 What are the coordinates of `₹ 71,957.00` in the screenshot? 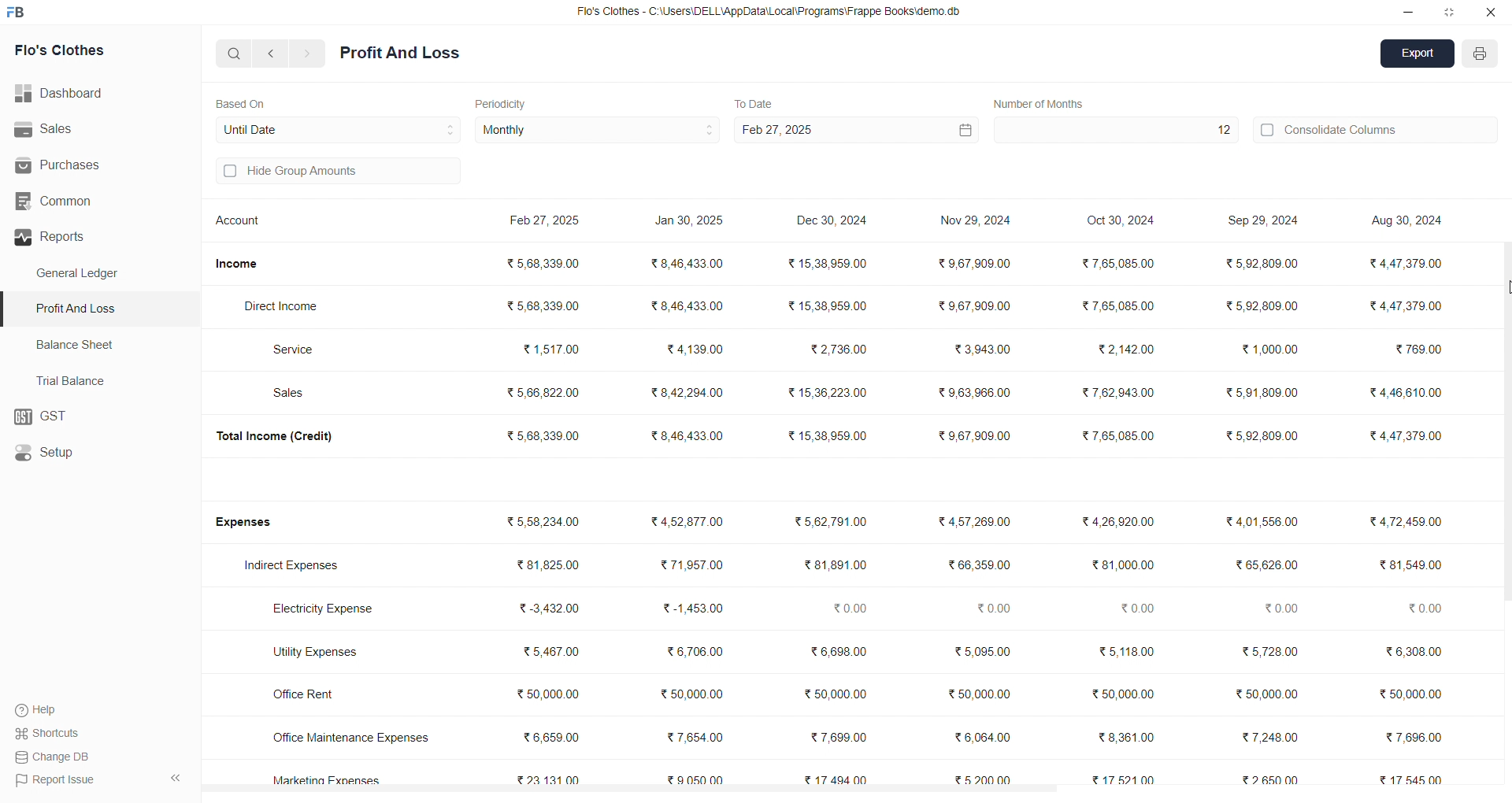 It's located at (691, 565).